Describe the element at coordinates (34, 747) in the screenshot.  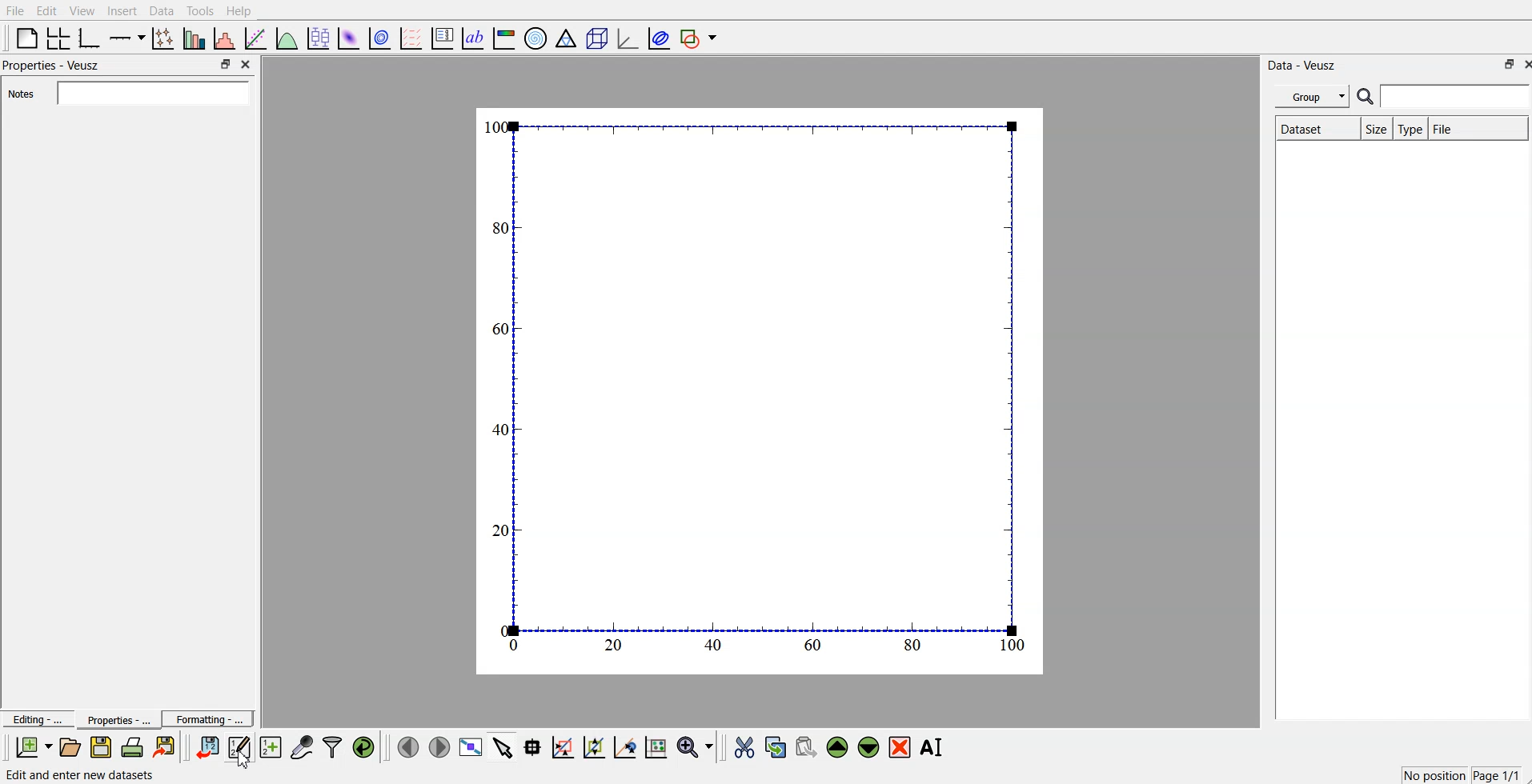
I see `New document` at that location.